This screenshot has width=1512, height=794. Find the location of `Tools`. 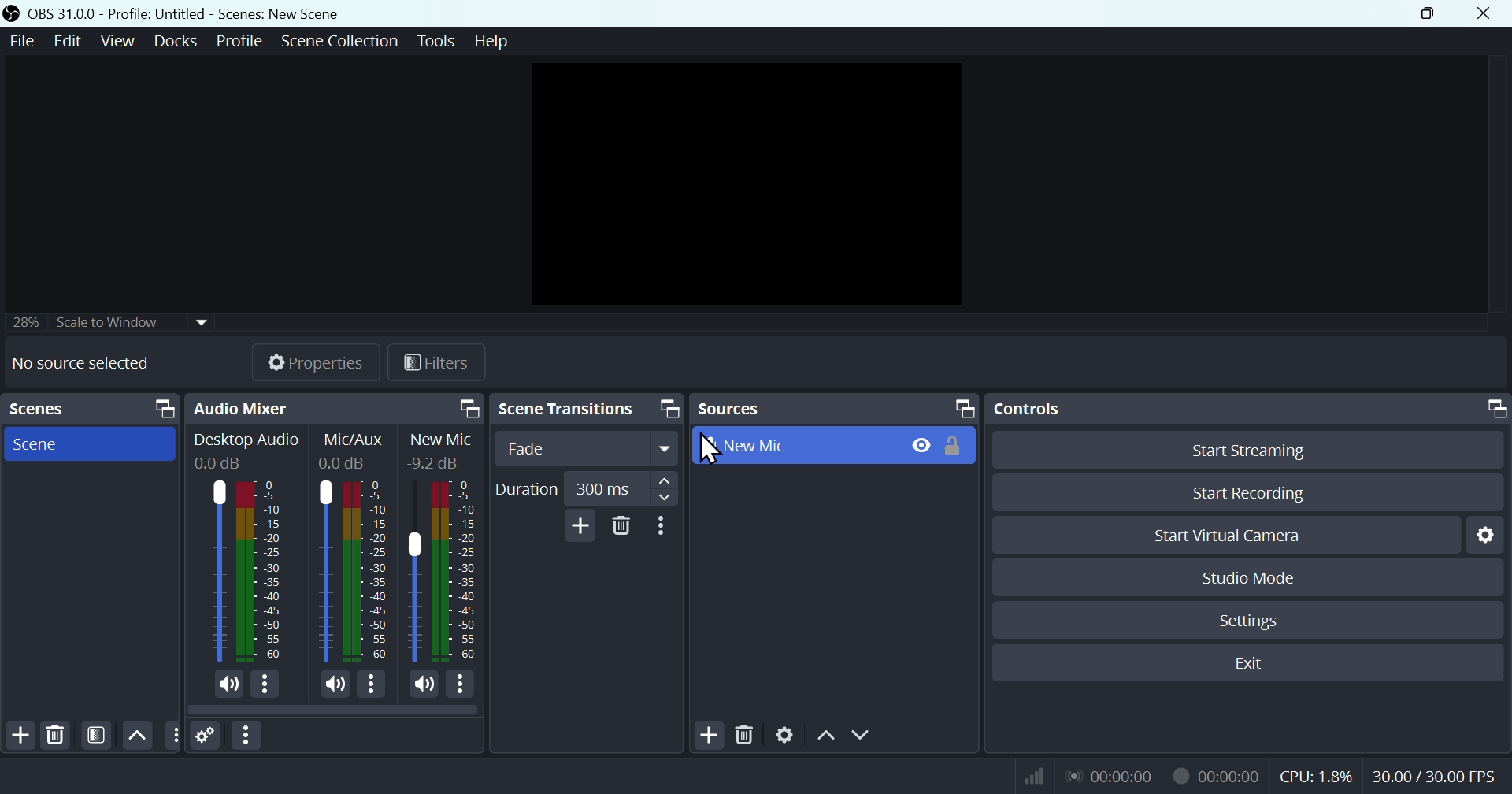

Tools is located at coordinates (437, 44).